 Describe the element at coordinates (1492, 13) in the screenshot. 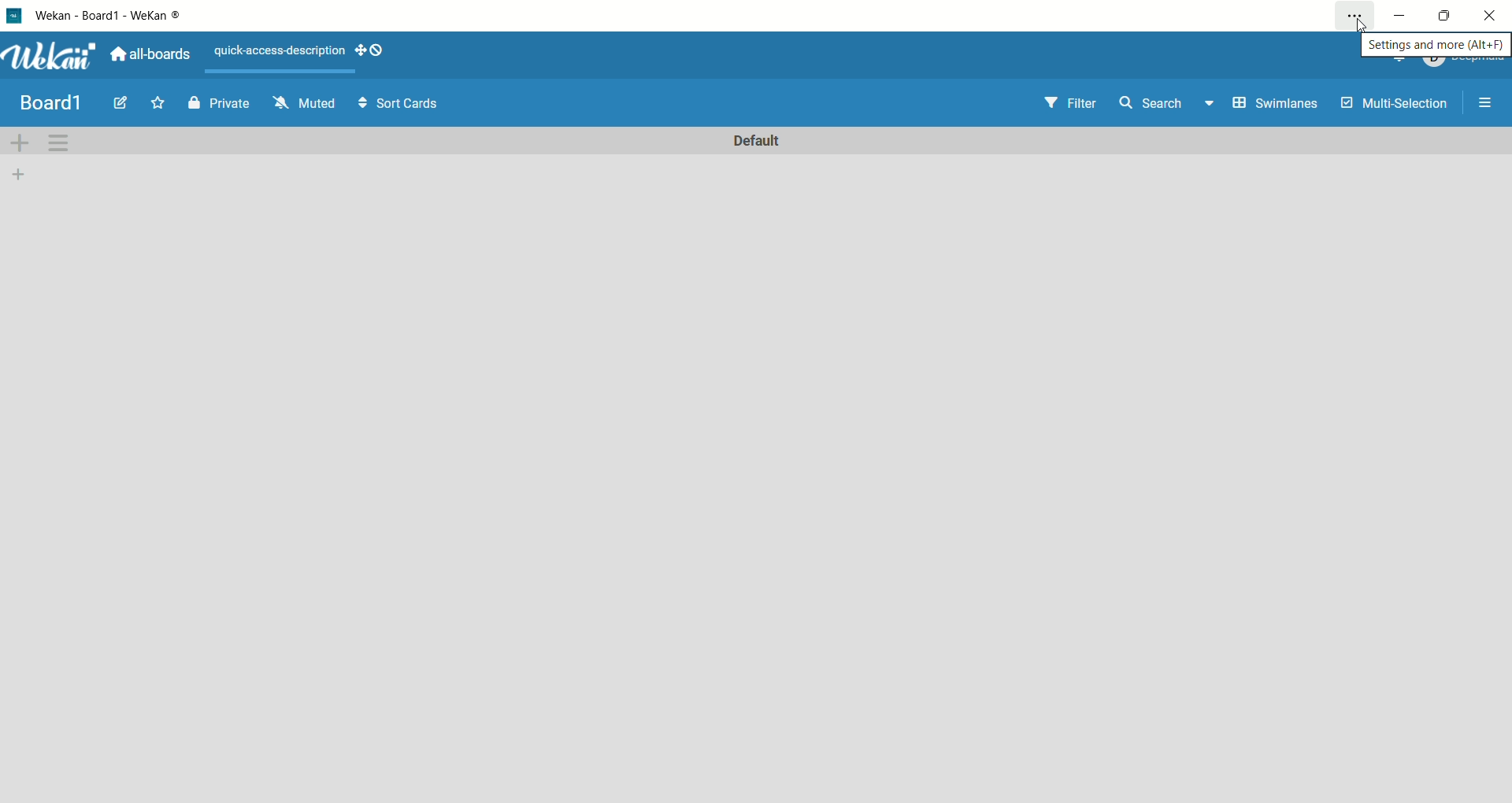

I see `close` at that location.